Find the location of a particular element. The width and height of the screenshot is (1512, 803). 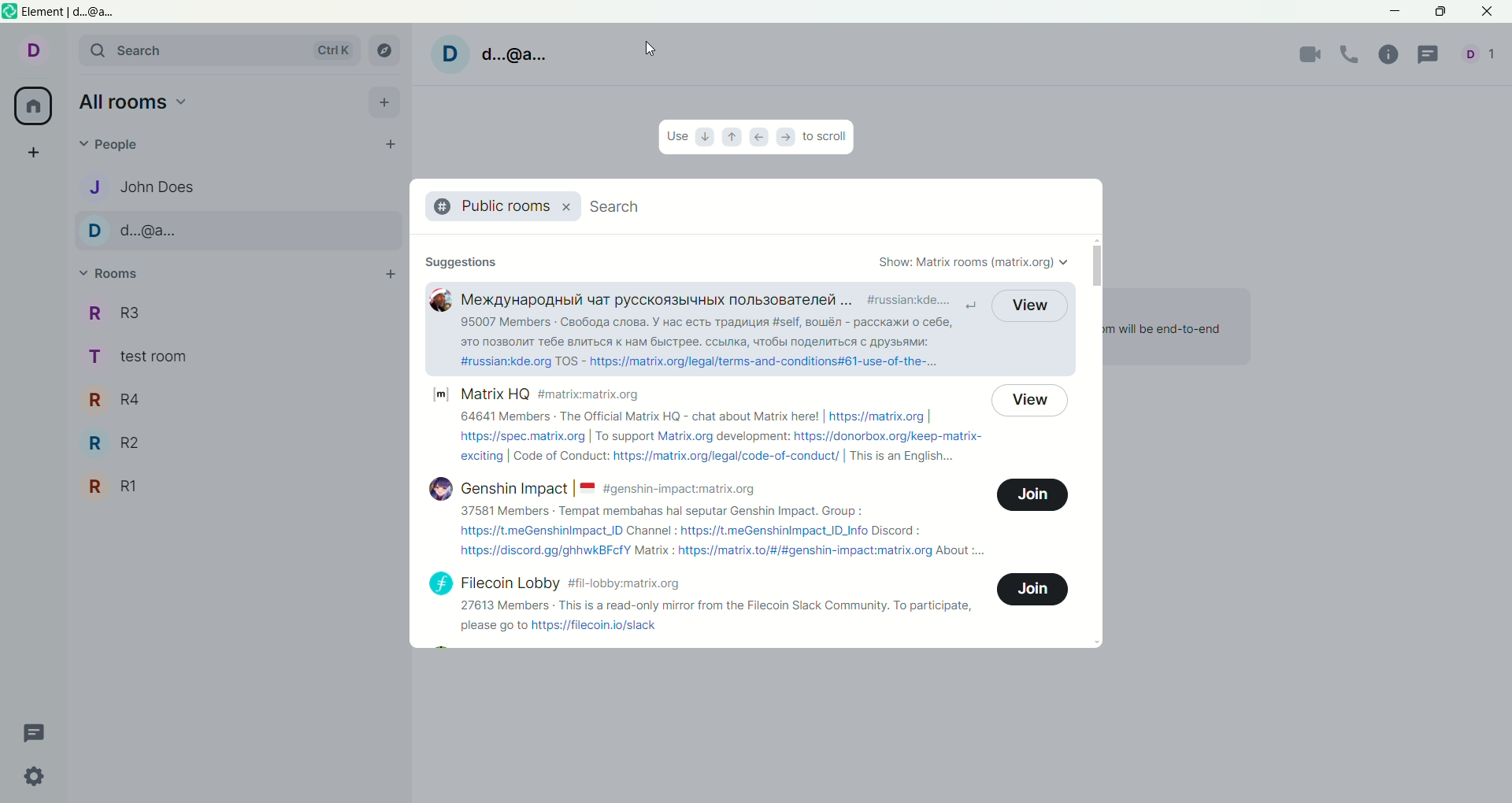

This is an English... is located at coordinates (903, 457).